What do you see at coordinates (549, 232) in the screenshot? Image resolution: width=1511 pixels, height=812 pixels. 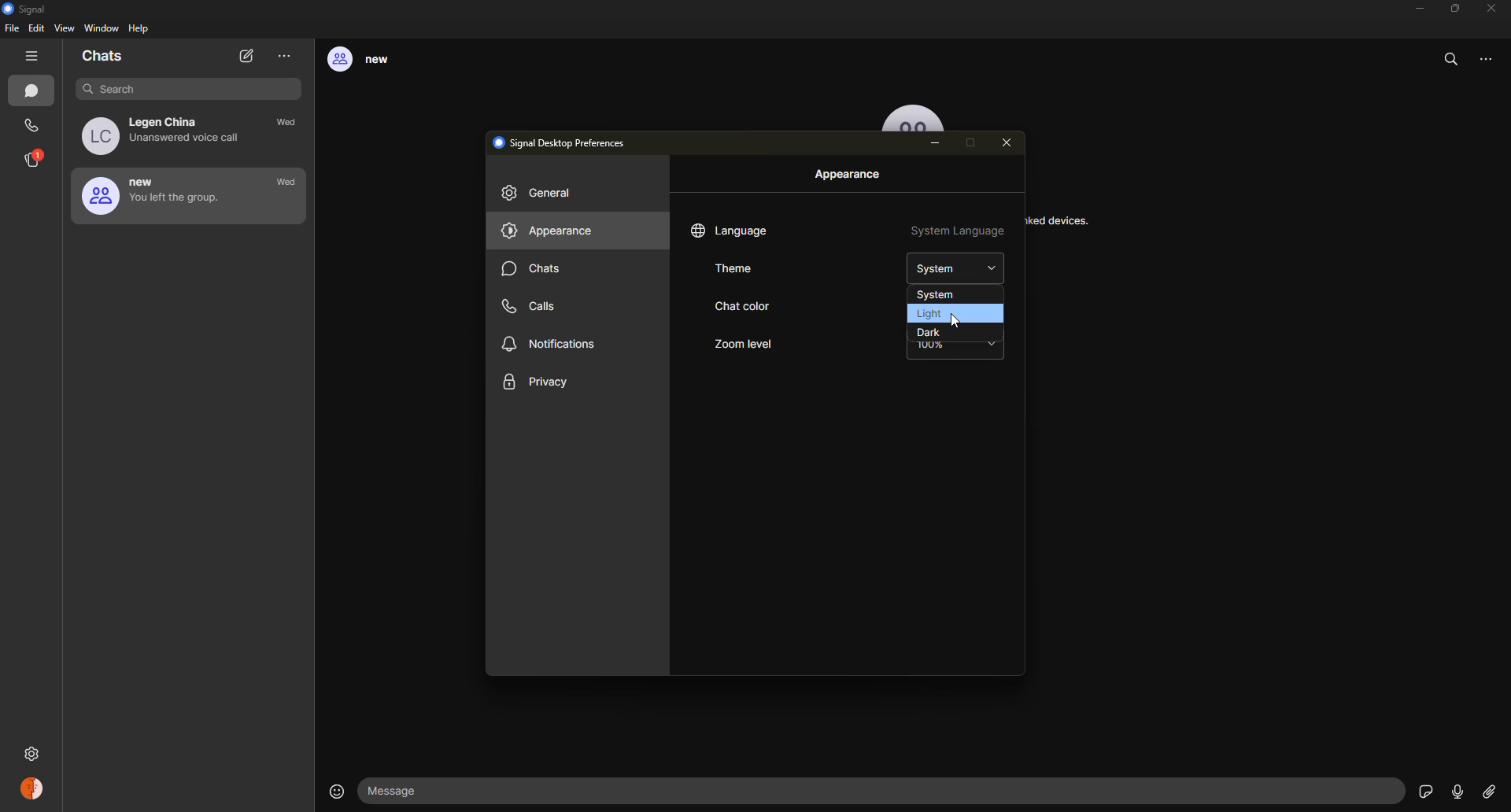 I see `appearance` at bounding box center [549, 232].